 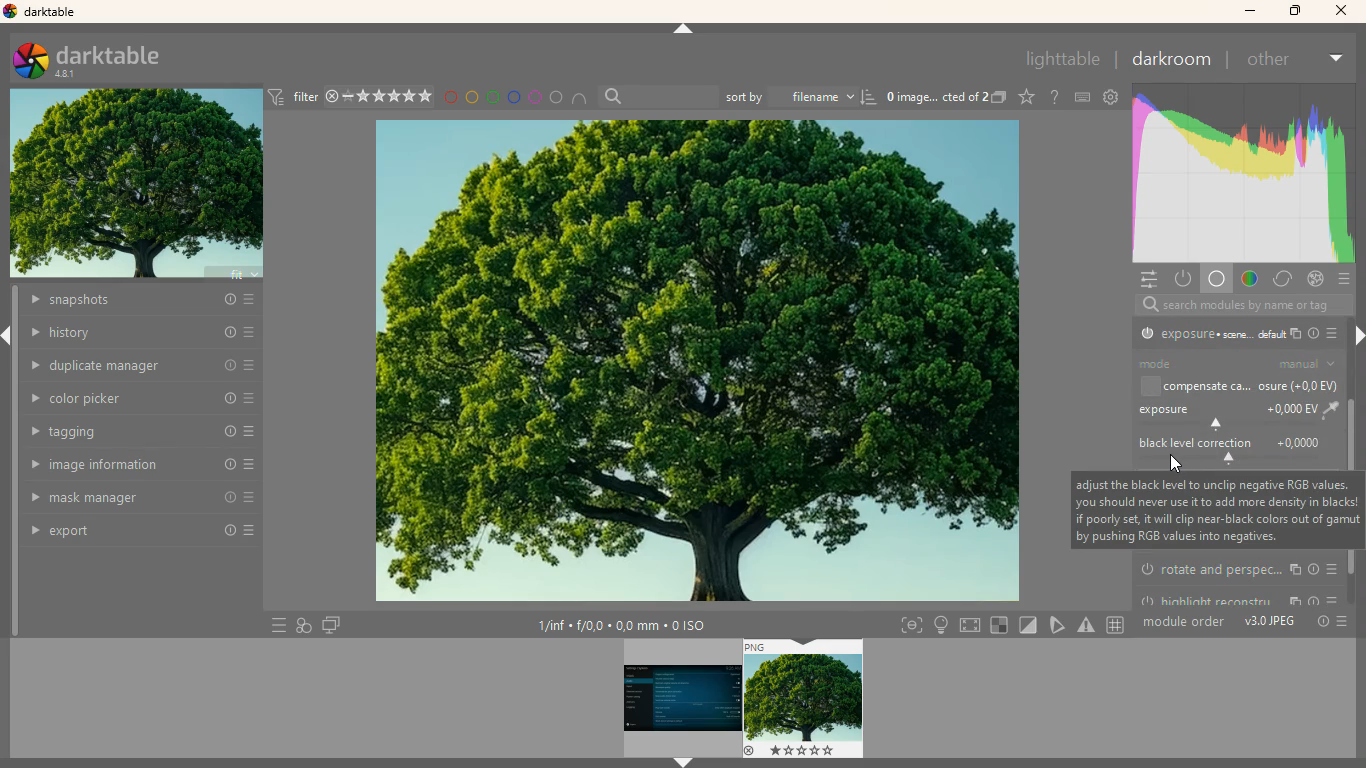 What do you see at coordinates (1298, 335) in the screenshot?
I see `copy` at bounding box center [1298, 335].